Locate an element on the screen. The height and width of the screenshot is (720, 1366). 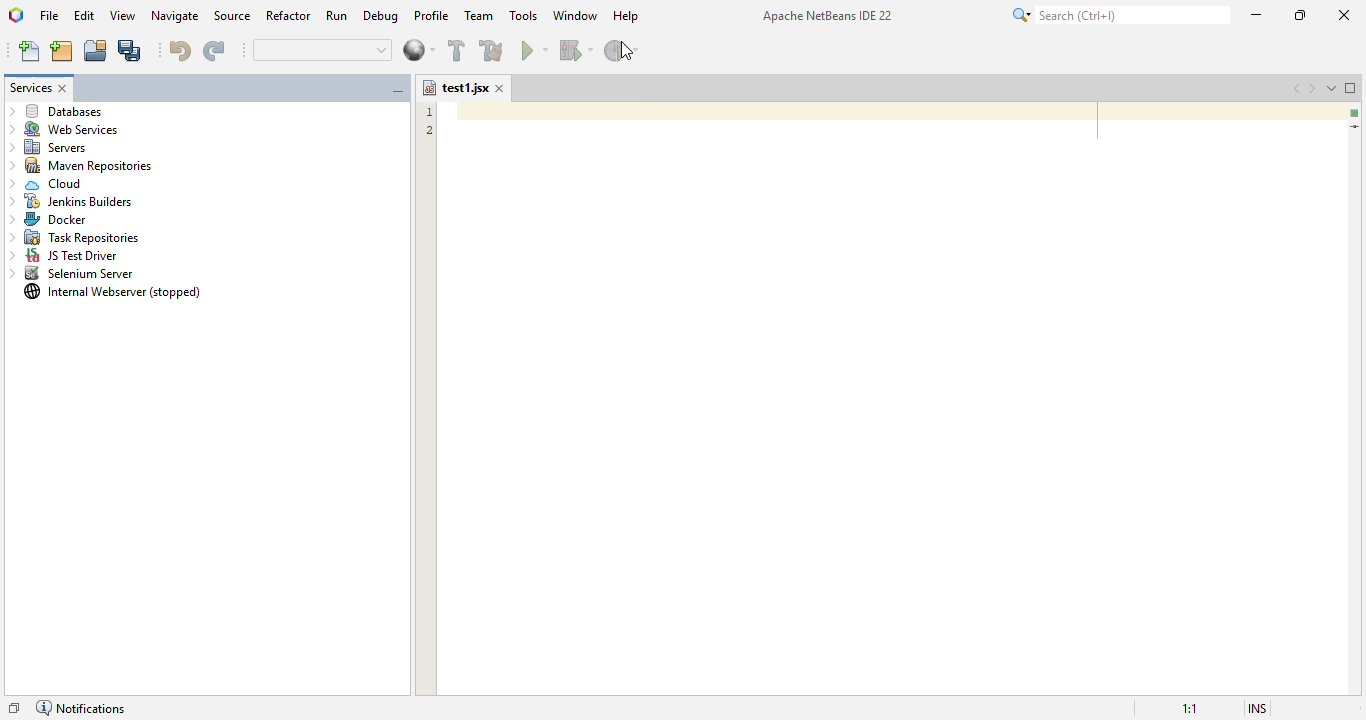
debug is located at coordinates (381, 16).